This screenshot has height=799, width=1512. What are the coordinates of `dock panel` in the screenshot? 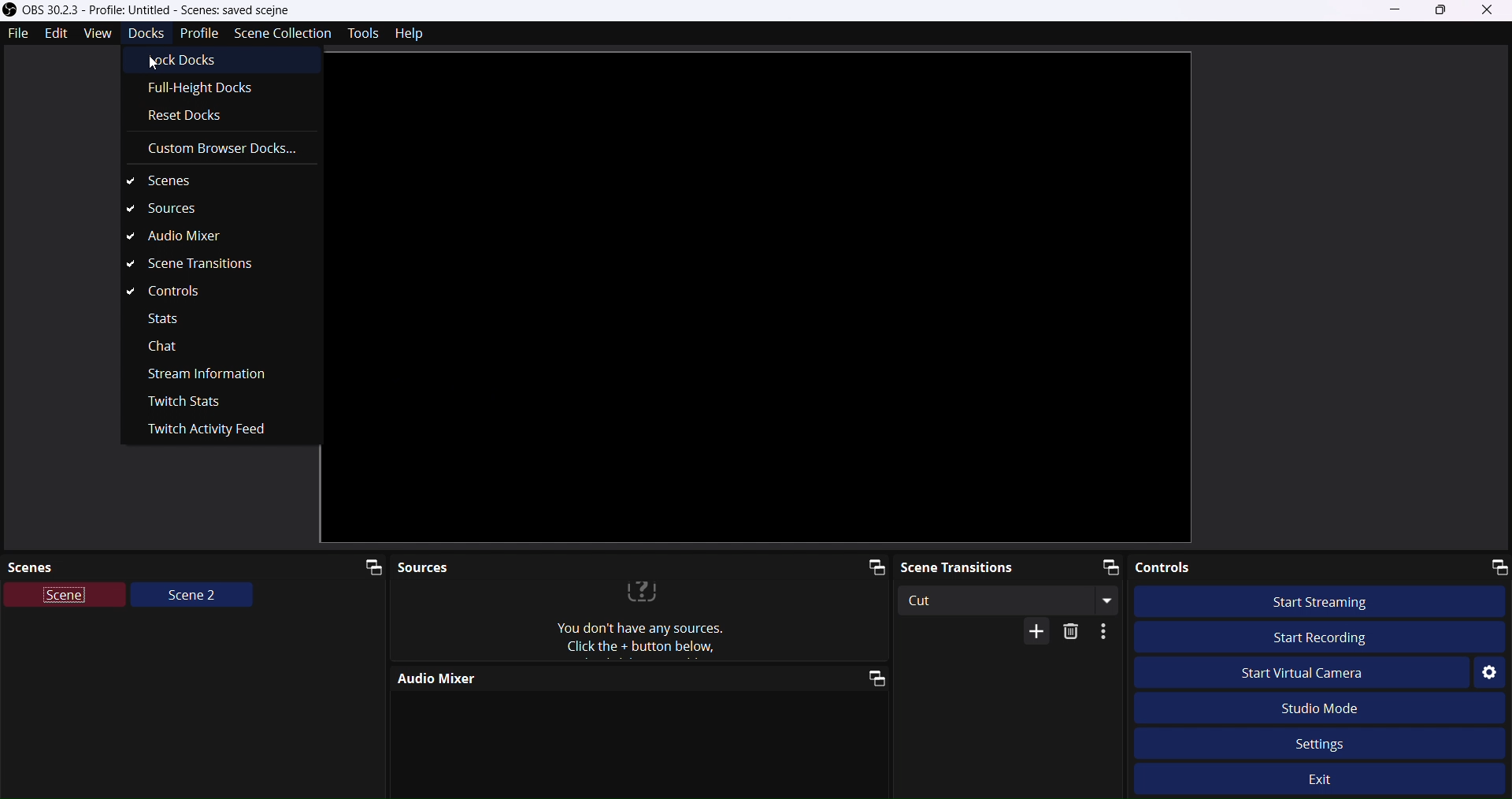 It's located at (1494, 566).